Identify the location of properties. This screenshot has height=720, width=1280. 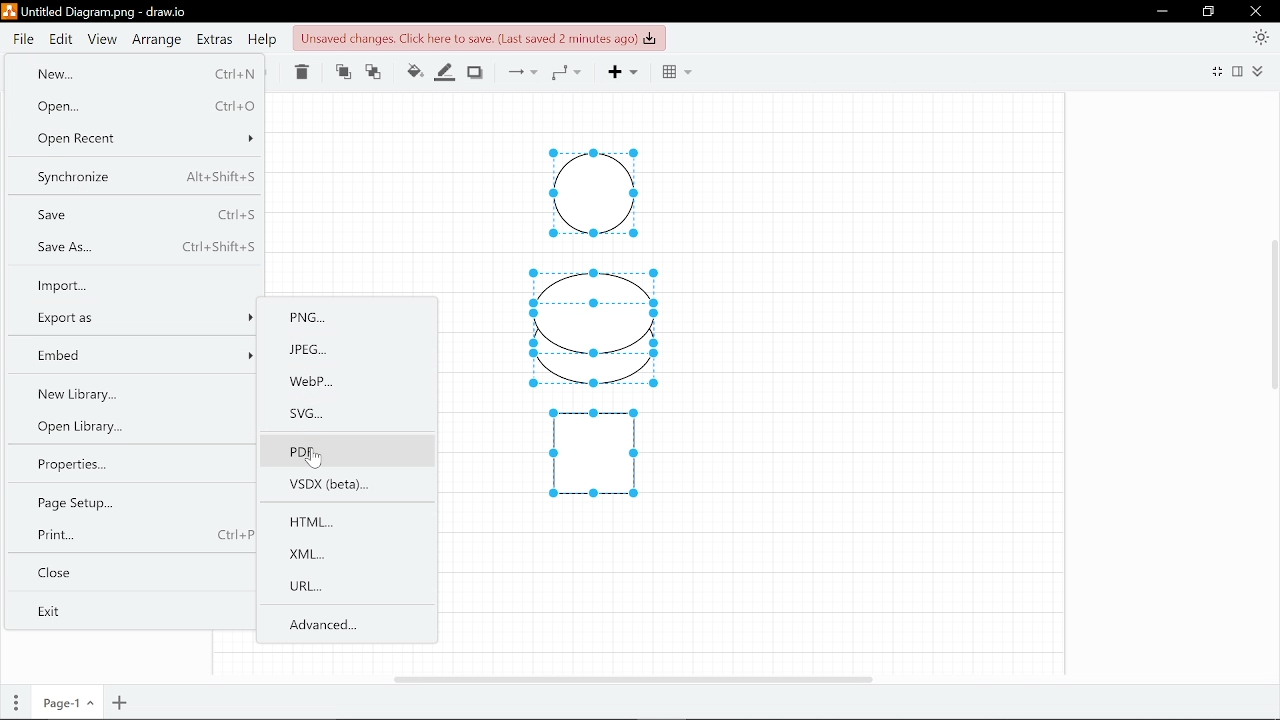
(129, 466).